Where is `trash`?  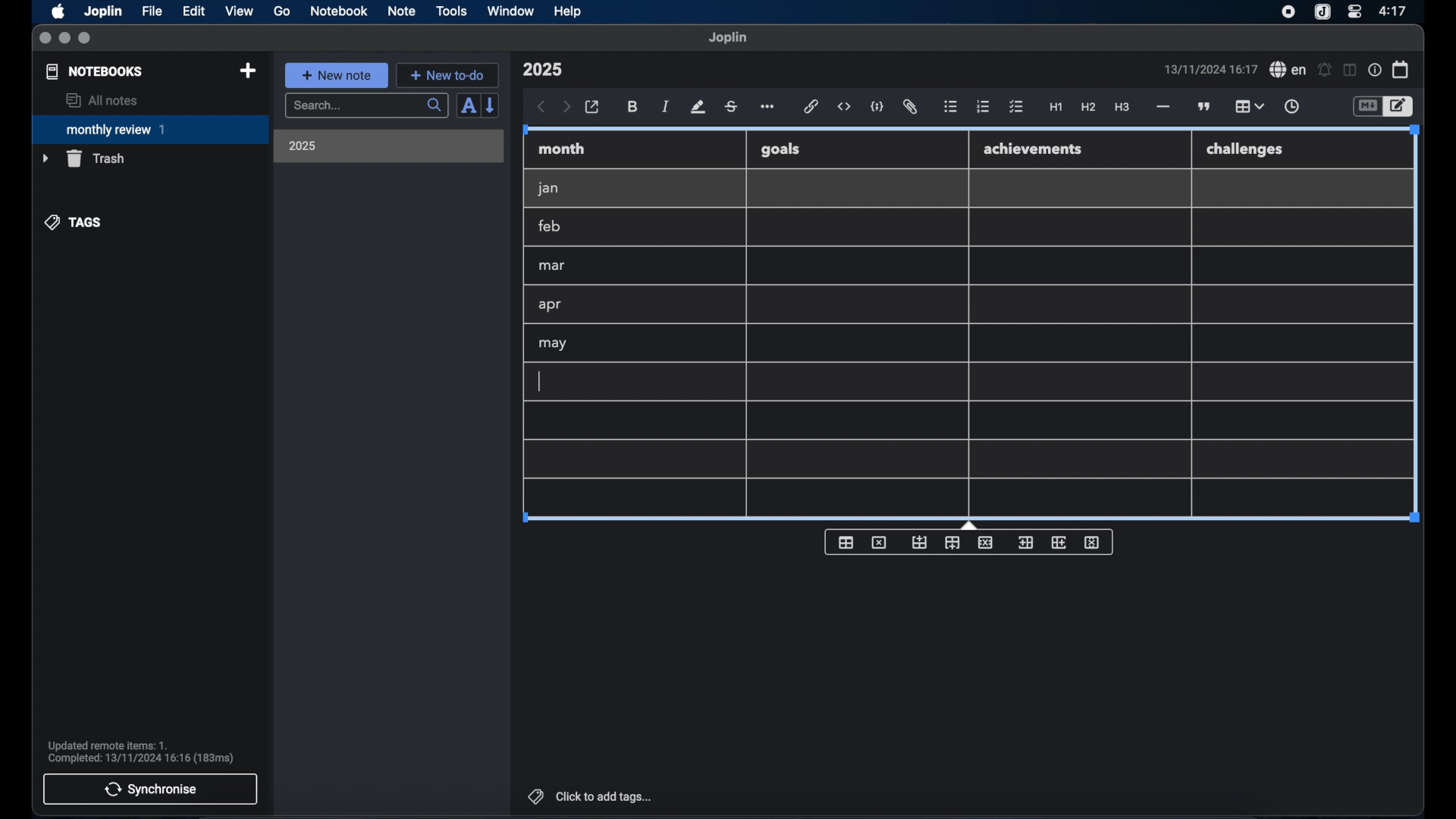 trash is located at coordinates (83, 158).